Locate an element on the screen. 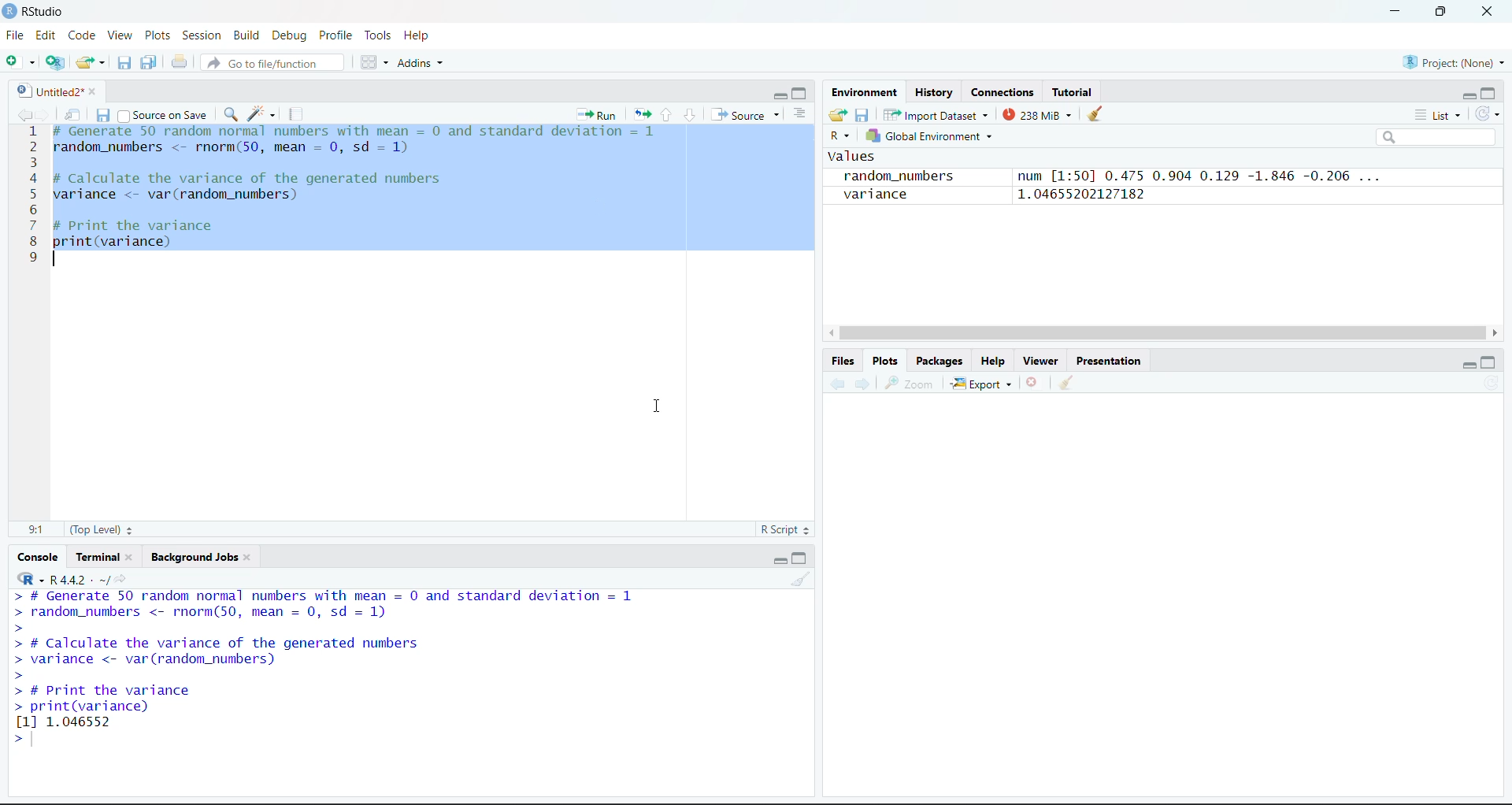 This screenshot has height=805, width=1512. Plots is located at coordinates (885, 361).